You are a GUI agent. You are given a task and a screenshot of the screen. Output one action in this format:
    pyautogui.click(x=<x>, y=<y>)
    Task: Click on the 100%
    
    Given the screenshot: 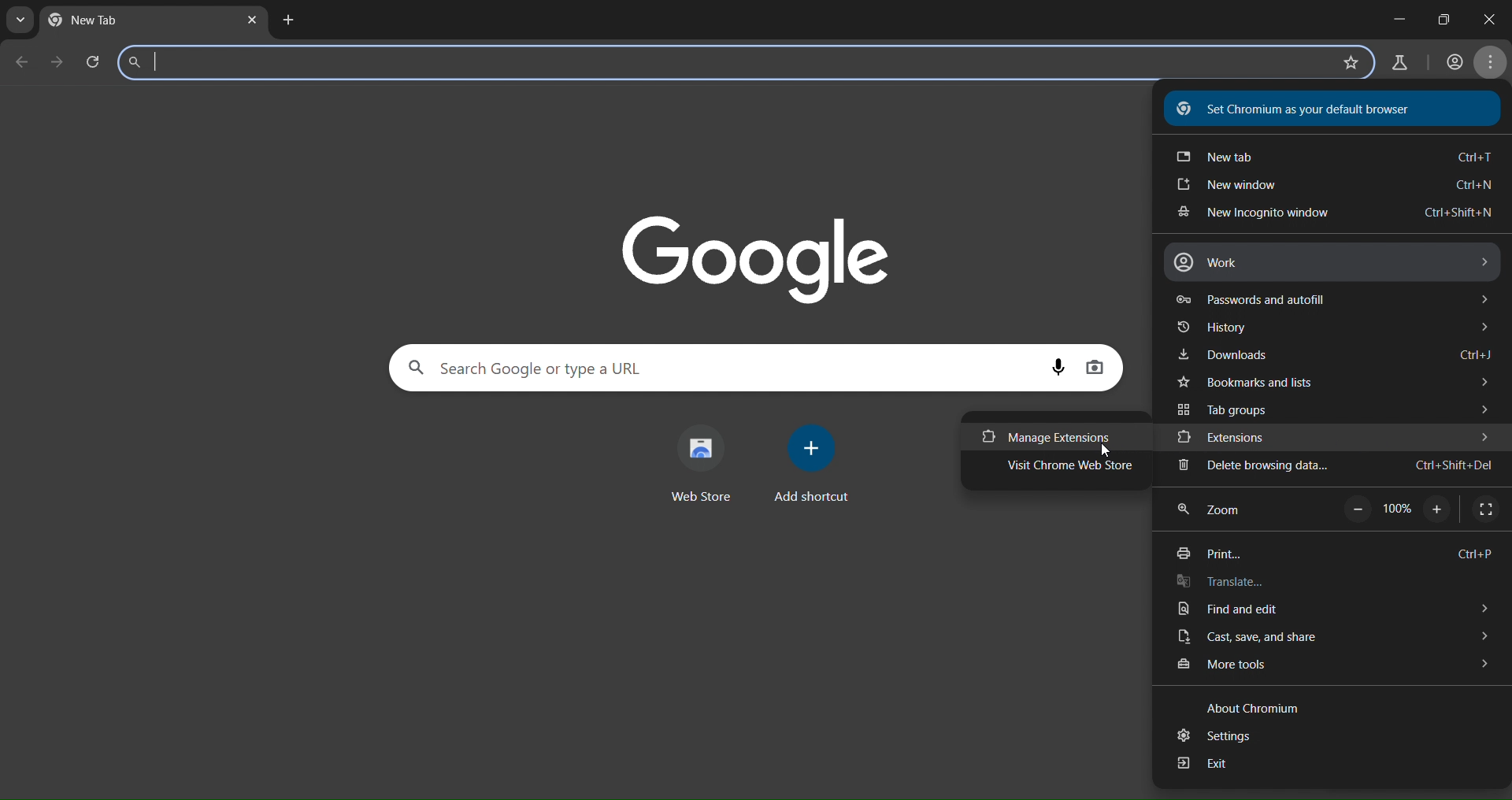 What is the action you would take?
    pyautogui.click(x=1397, y=508)
    